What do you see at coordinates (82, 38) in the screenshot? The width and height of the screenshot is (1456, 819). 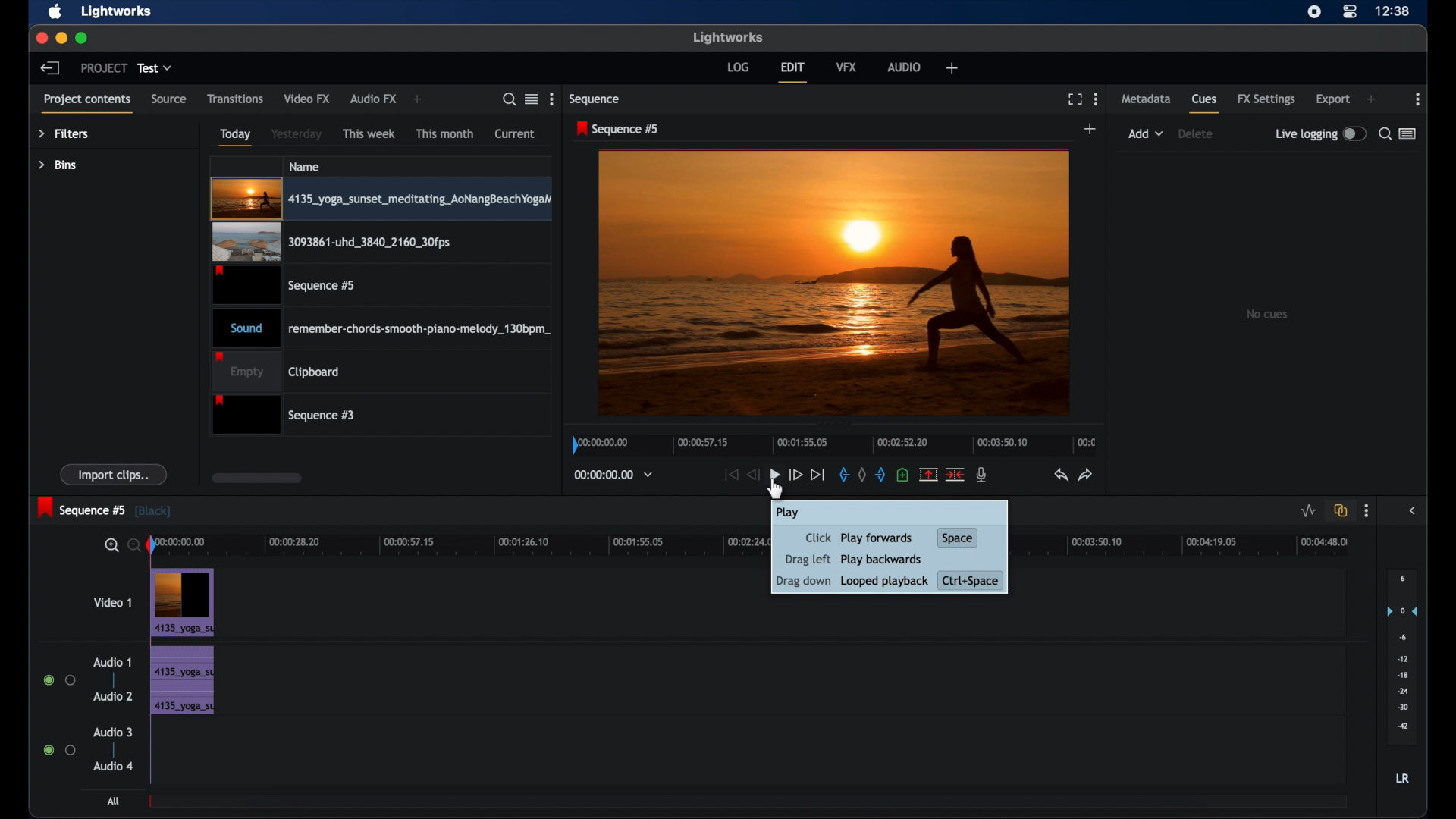 I see `maximize` at bounding box center [82, 38].